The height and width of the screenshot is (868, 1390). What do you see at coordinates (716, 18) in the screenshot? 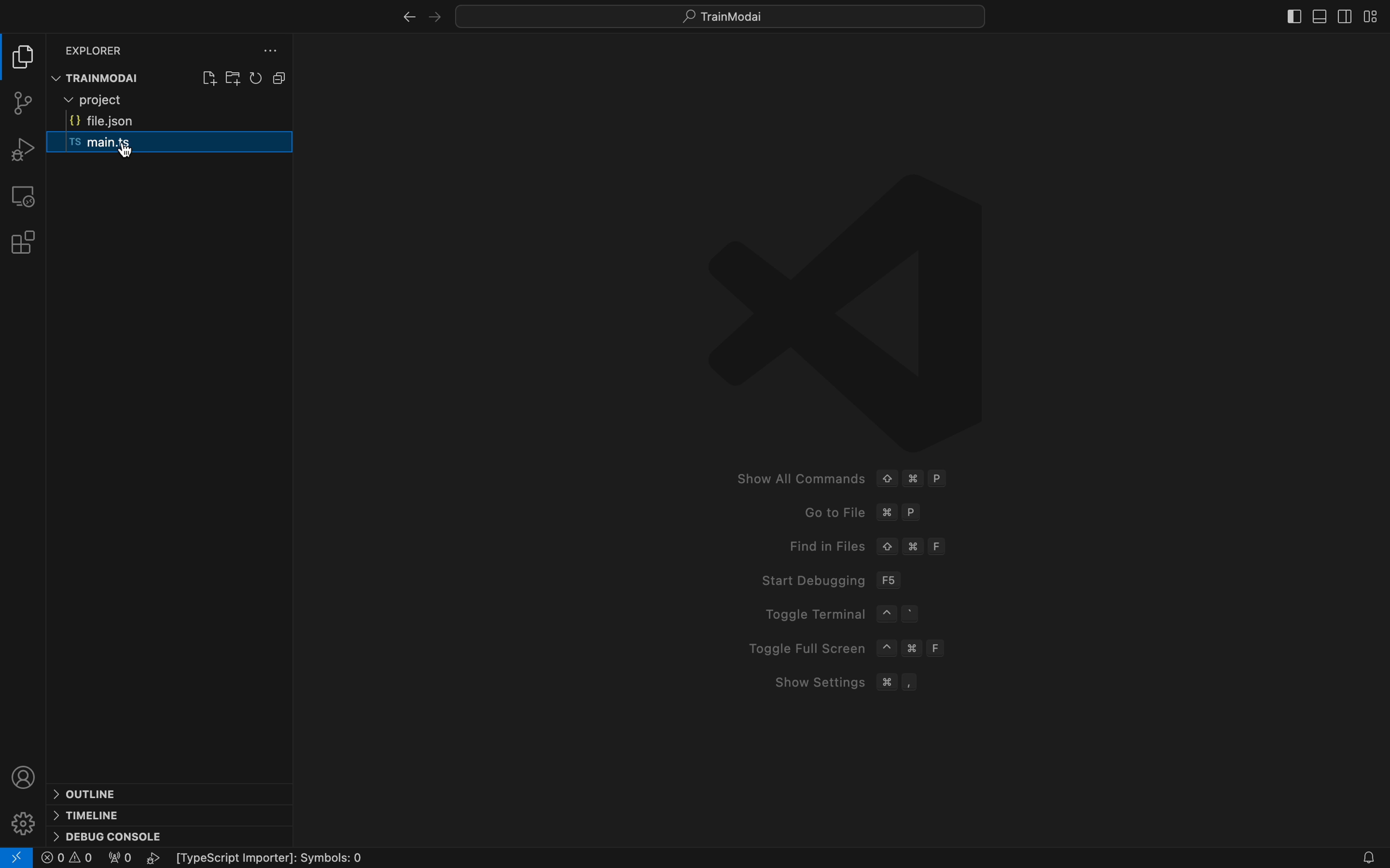
I see `quick menu` at bounding box center [716, 18].